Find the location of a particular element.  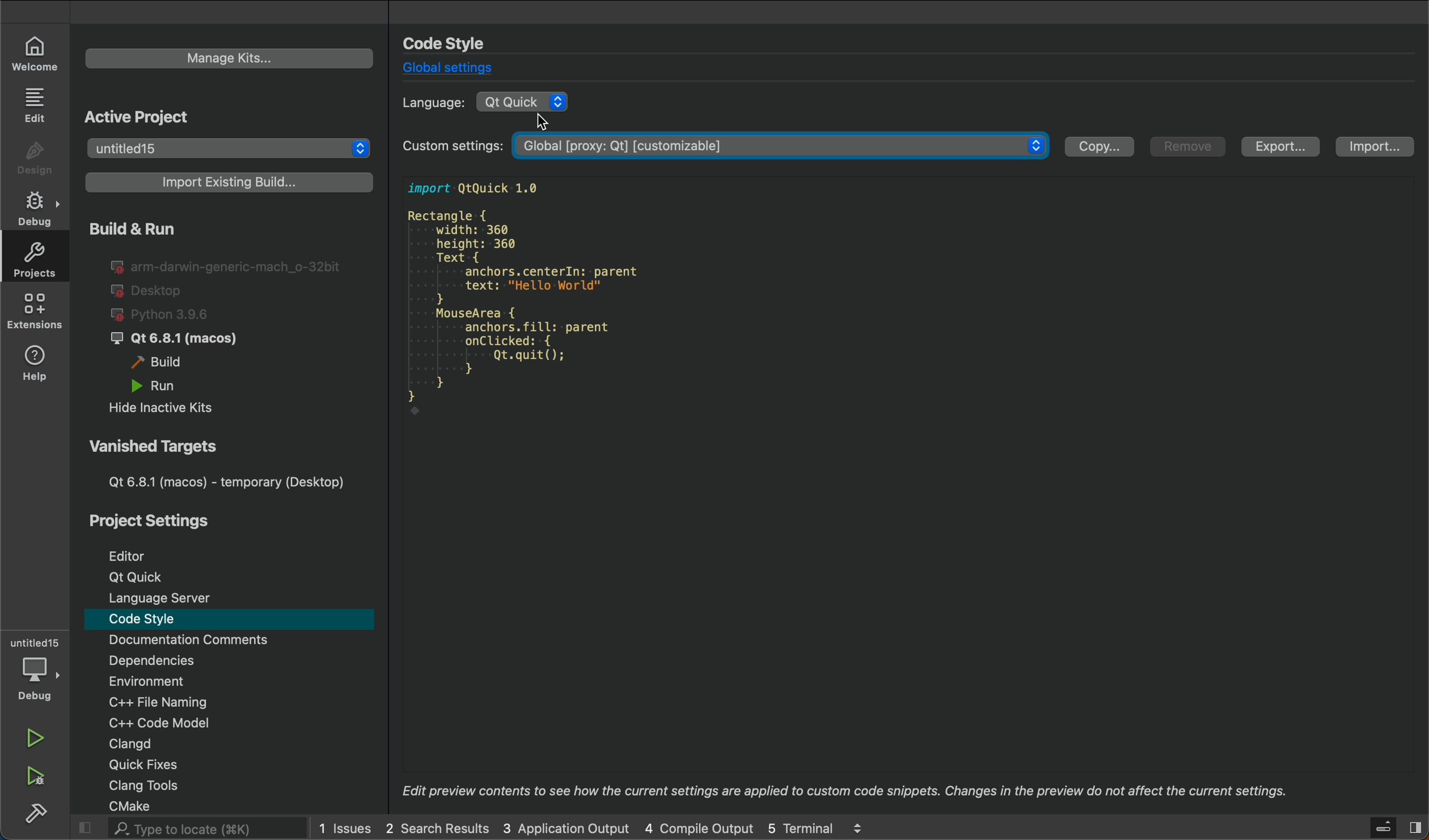

code style is located at coordinates (154, 621).